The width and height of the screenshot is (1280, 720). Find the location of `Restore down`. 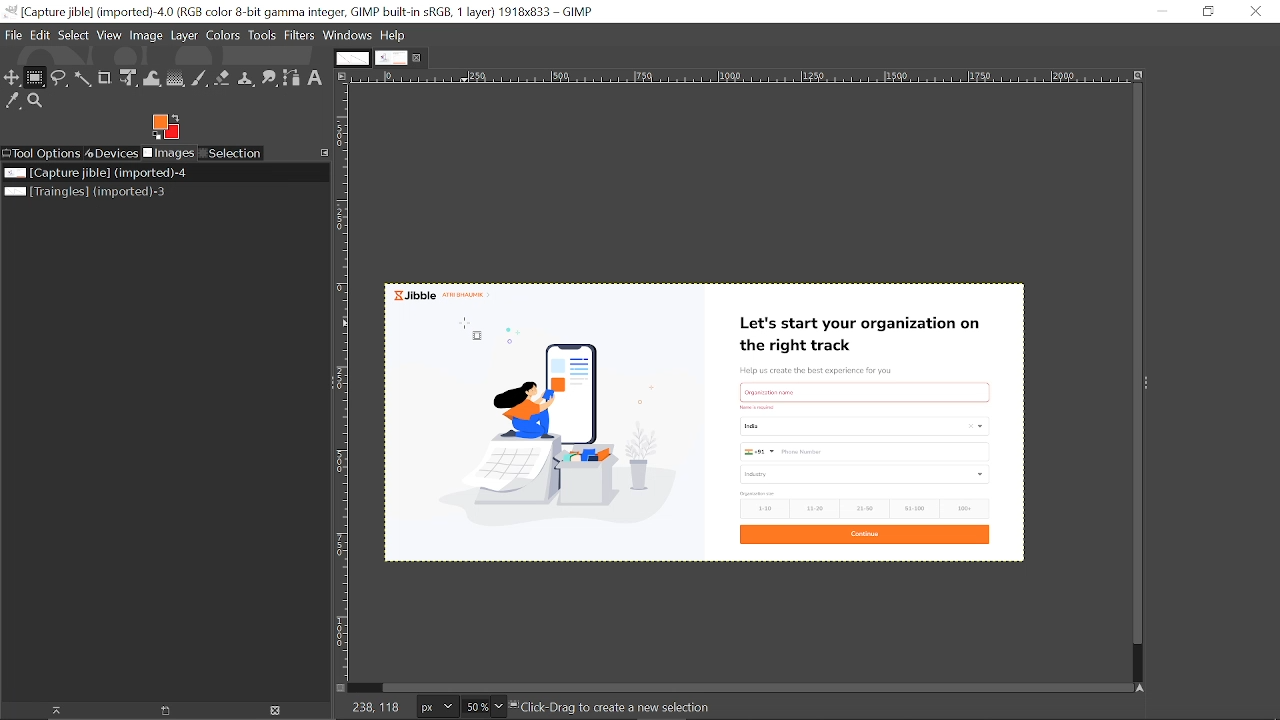

Restore down is located at coordinates (1208, 12).